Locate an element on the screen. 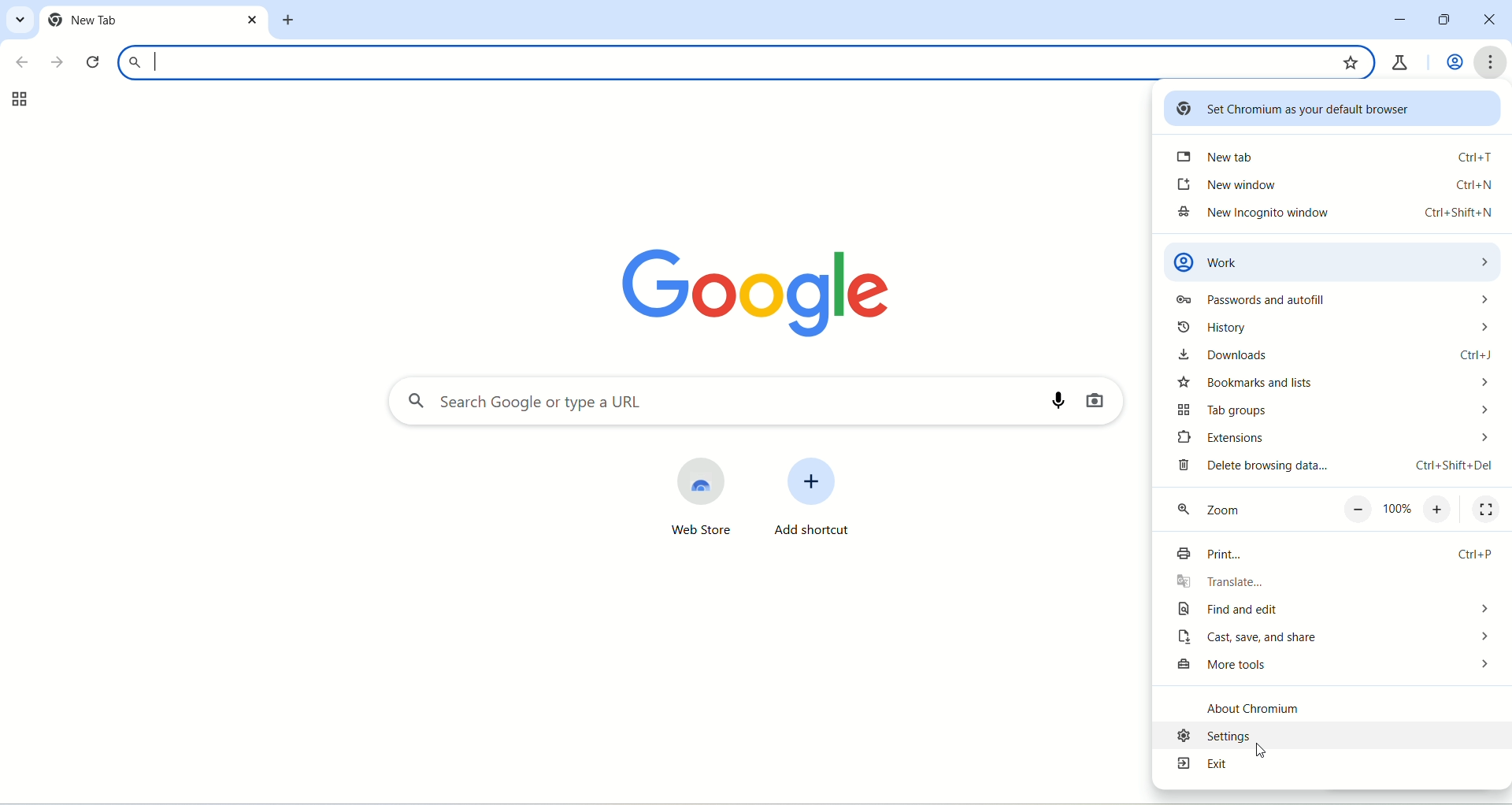 The height and width of the screenshot is (805, 1512). exit is located at coordinates (1325, 768).